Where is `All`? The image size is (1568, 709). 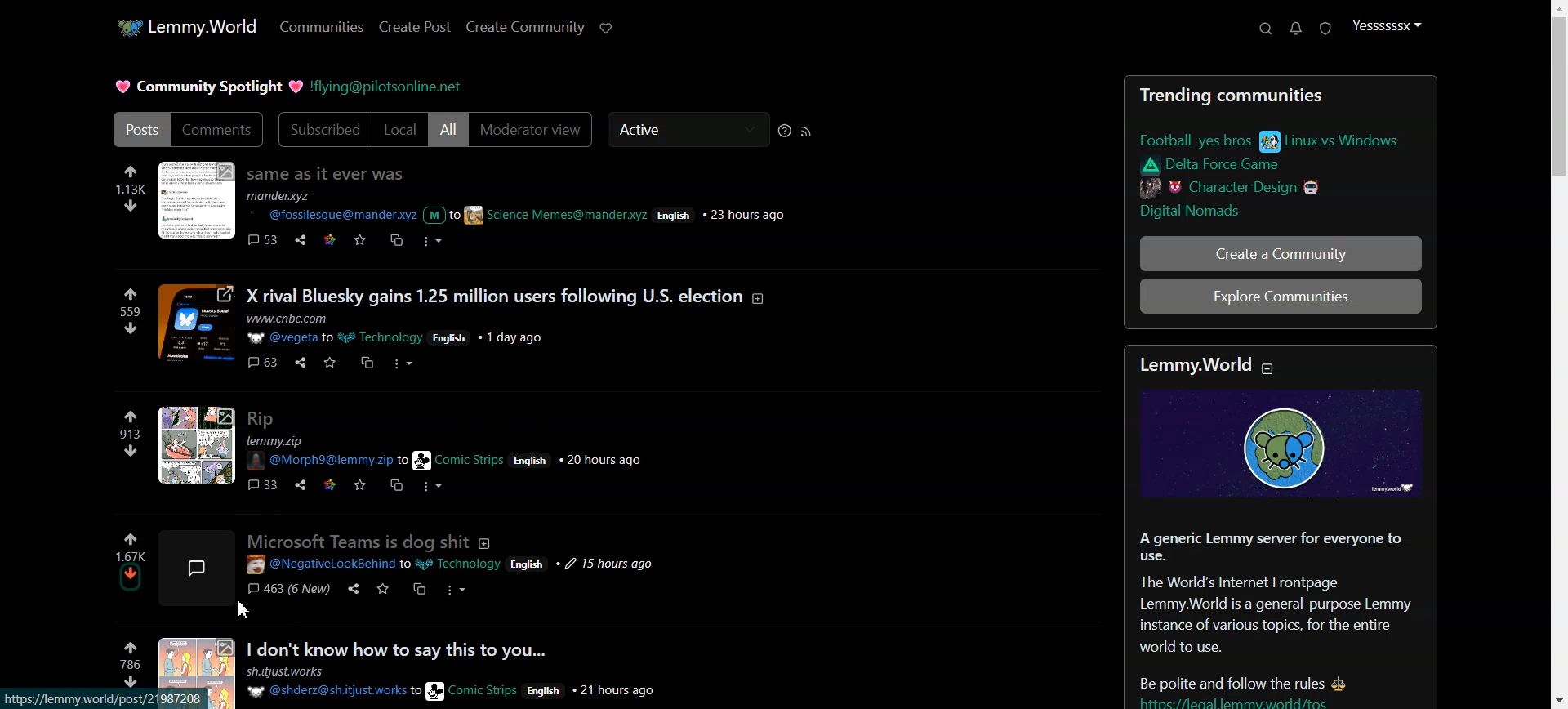 All is located at coordinates (448, 129).